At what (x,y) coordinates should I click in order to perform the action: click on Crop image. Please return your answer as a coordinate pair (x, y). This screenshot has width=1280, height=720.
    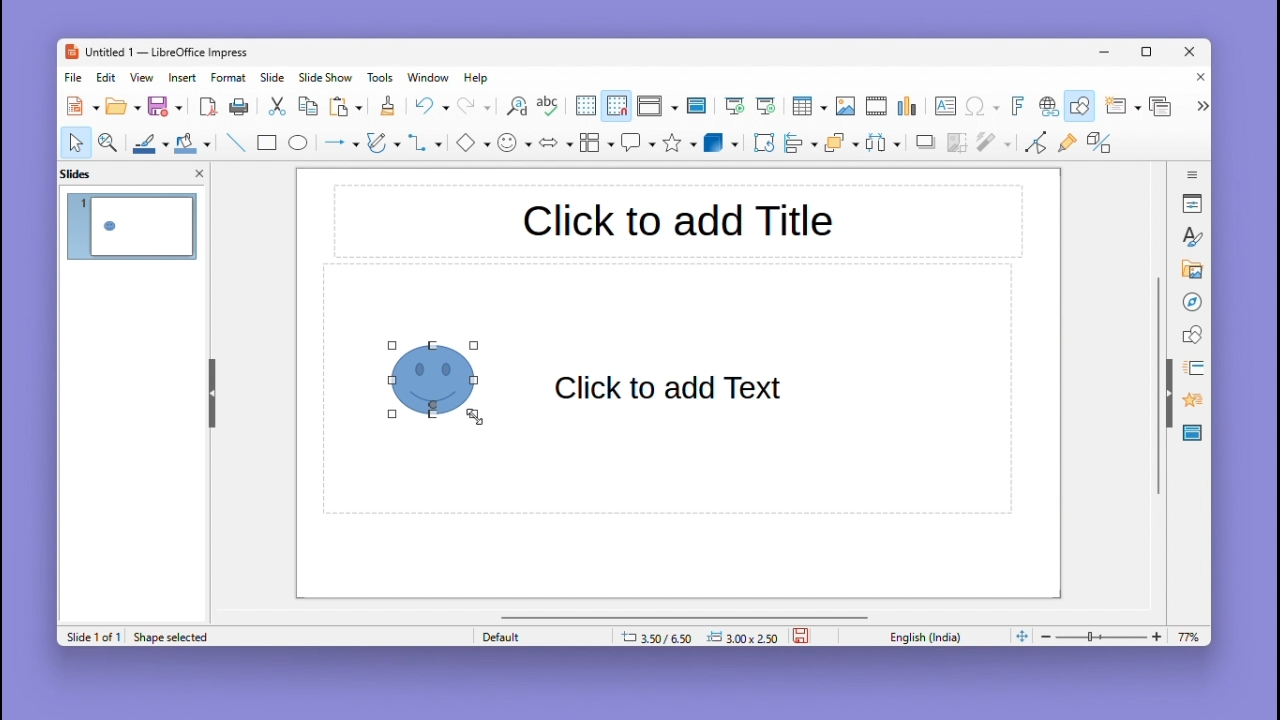
    Looking at the image, I should click on (958, 147).